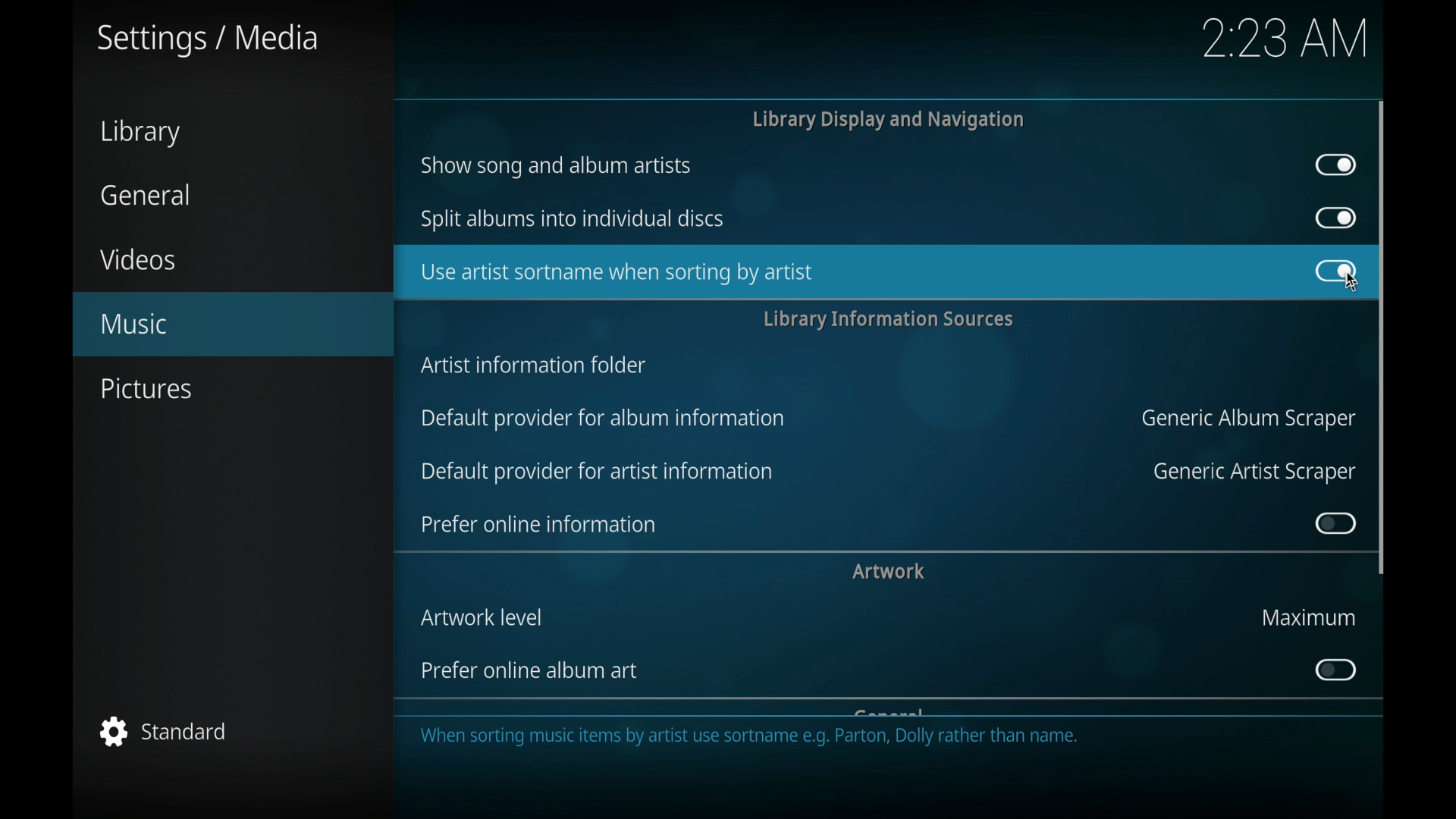 Image resolution: width=1456 pixels, height=819 pixels. Describe the element at coordinates (596, 472) in the screenshot. I see `default provider for artist information` at that location.